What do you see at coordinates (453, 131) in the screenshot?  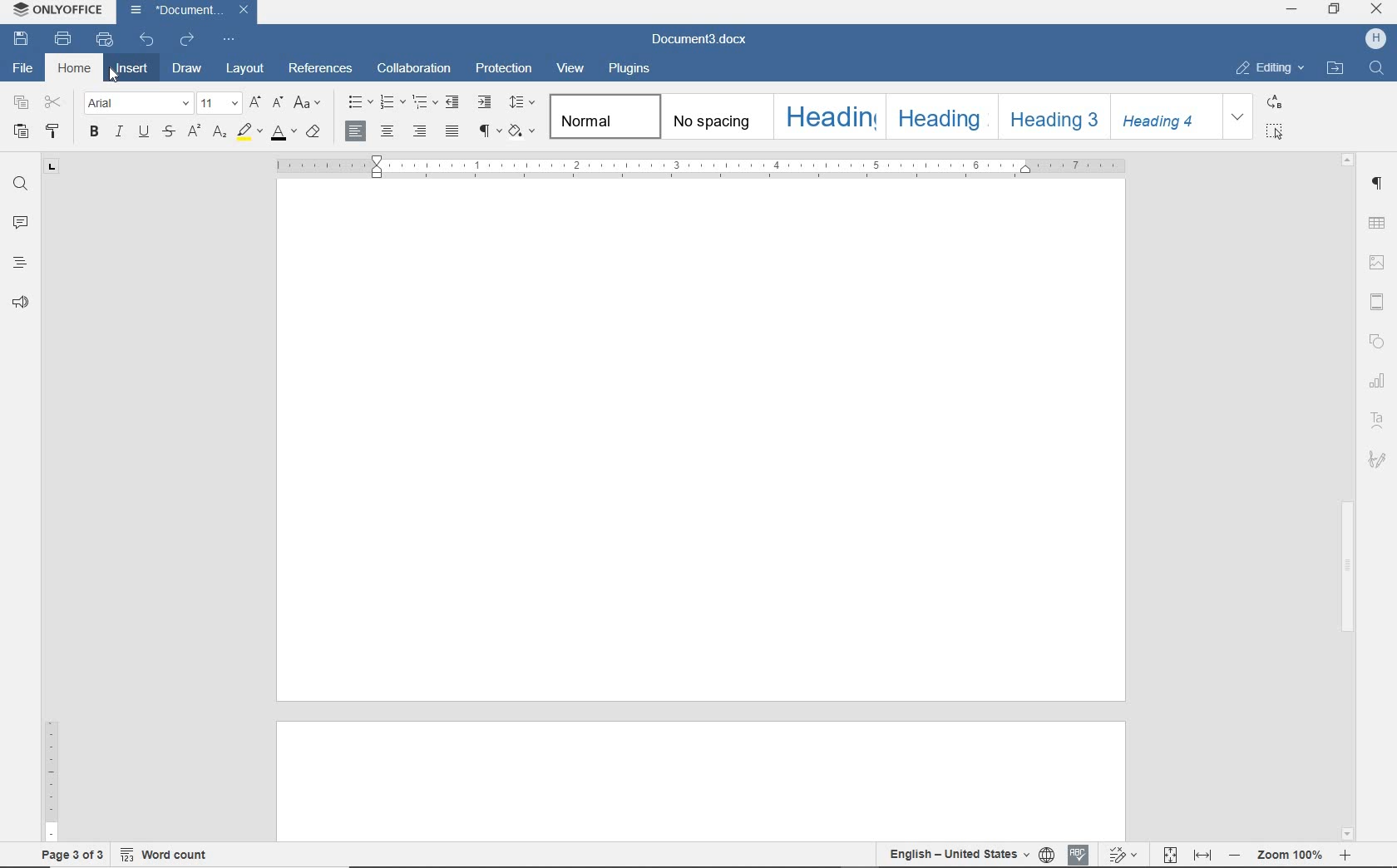 I see `JUSTIFIED` at bounding box center [453, 131].